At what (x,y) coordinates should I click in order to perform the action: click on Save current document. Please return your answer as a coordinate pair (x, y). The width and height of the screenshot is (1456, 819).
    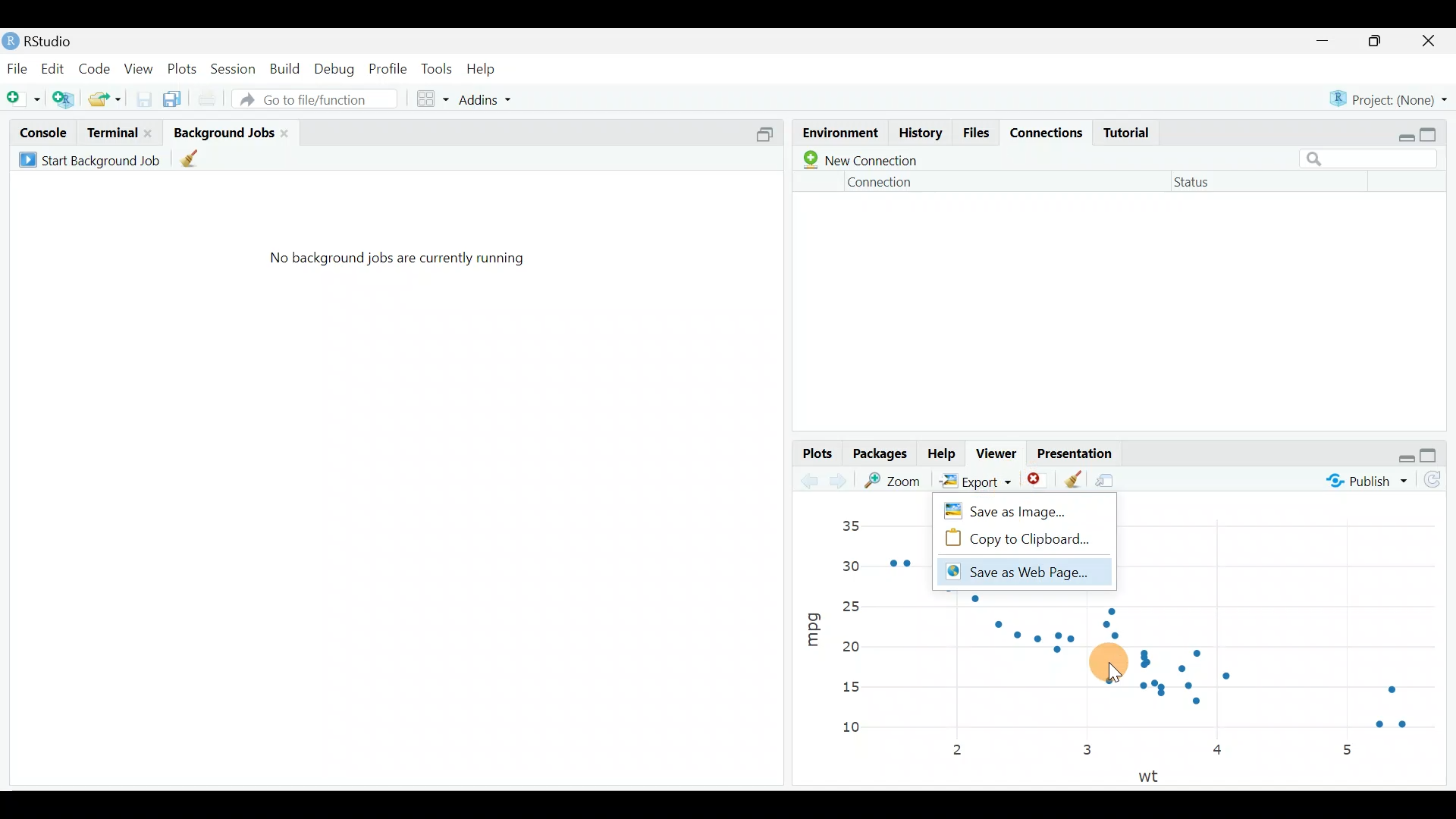
    Looking at the image, I should click on (143, 98).